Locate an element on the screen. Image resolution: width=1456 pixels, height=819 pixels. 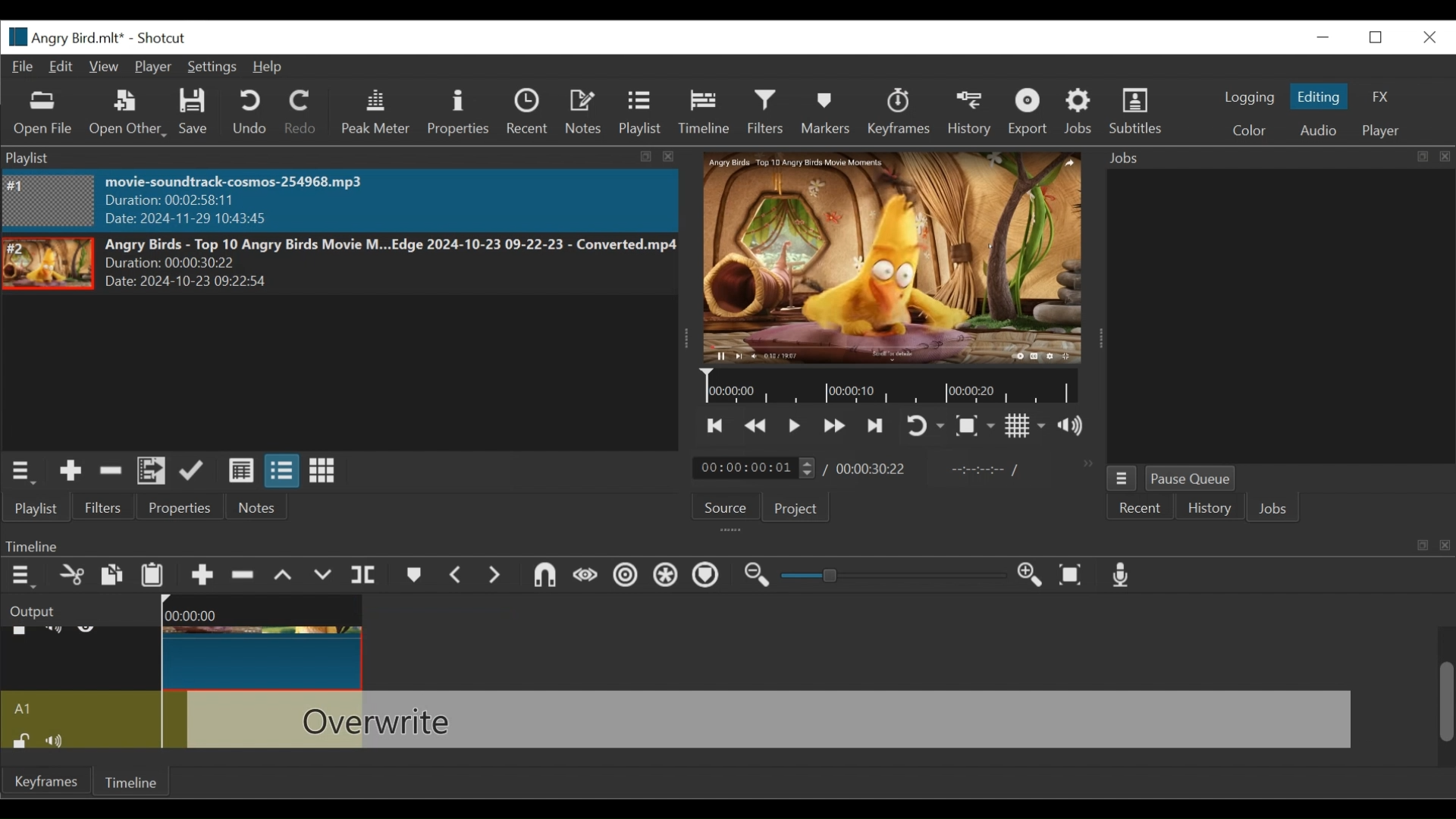
00:00:30:22(Total Duration) is located at coordinates (868, 469).